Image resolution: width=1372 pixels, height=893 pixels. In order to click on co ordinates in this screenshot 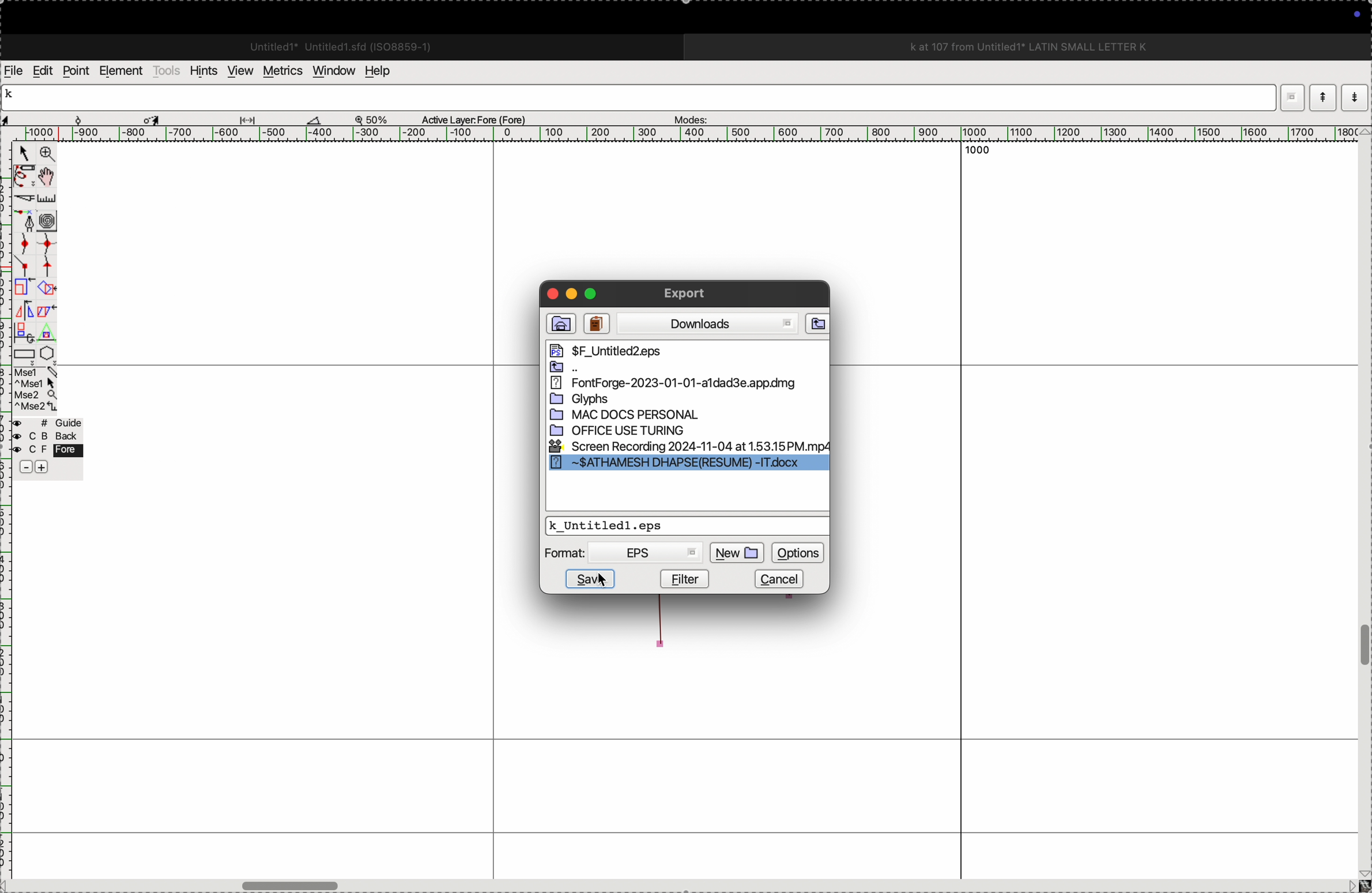, I will do `click(40, 116)`.